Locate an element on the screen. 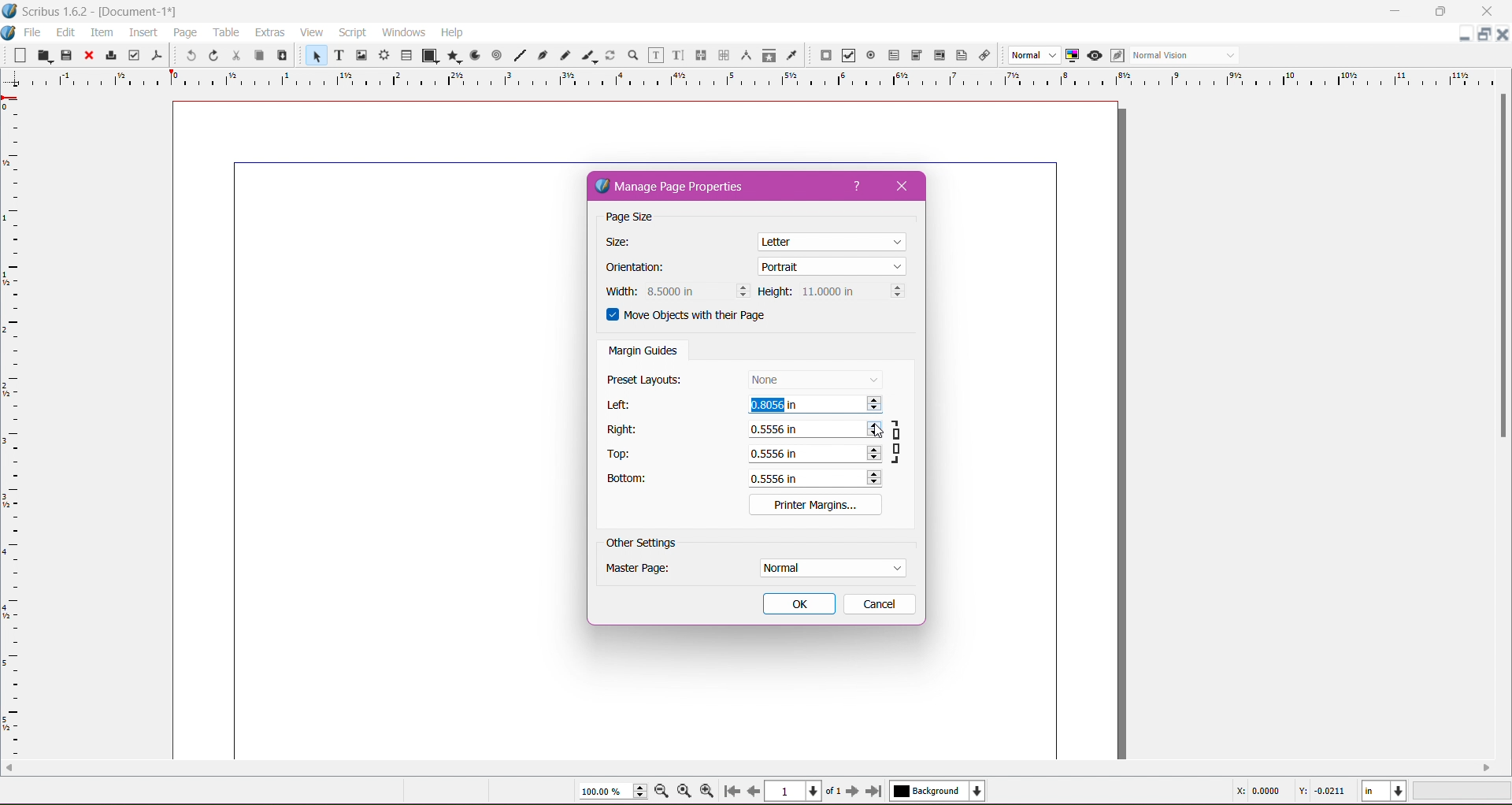  Redo is located at coordinates (213, 56).